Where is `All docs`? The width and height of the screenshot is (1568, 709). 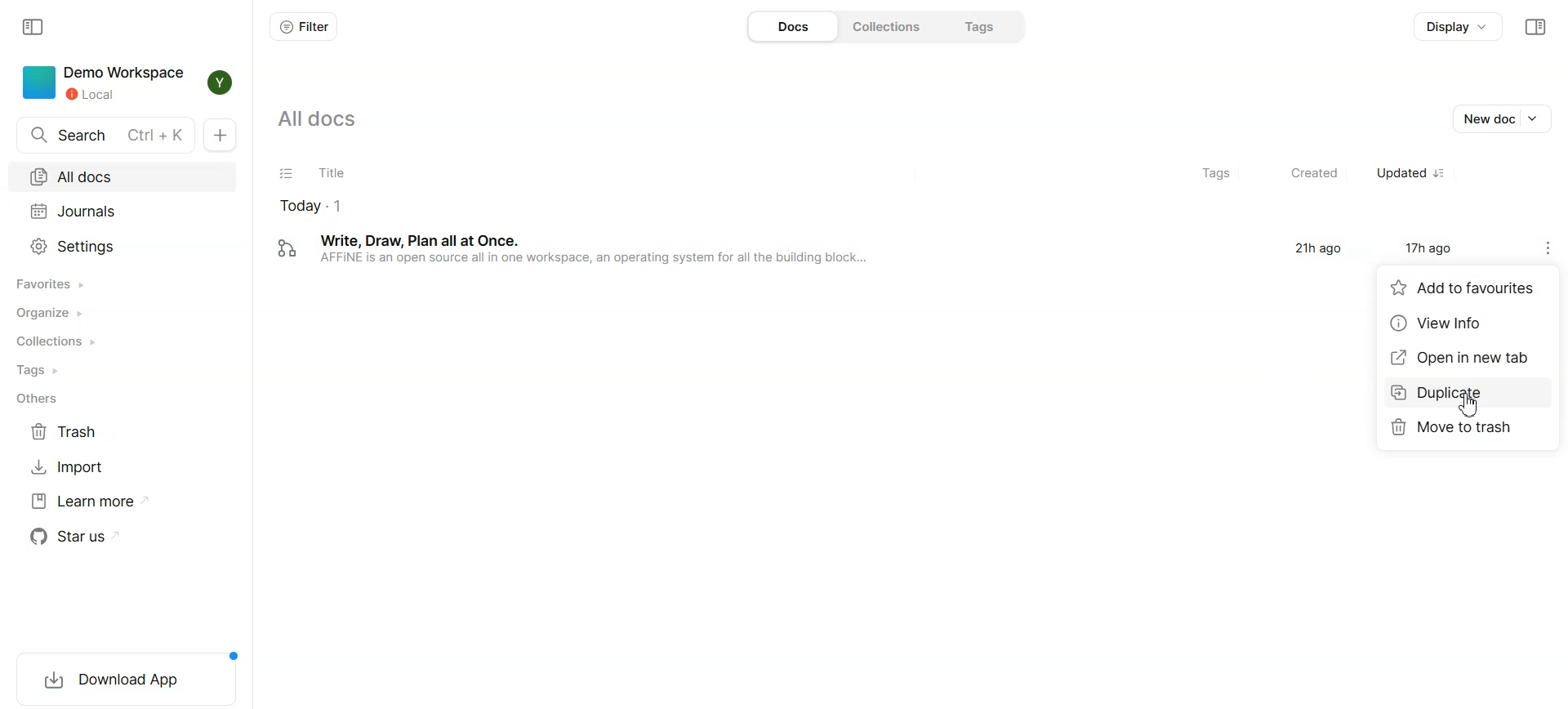 All docs is located at coordinates (122, 178).